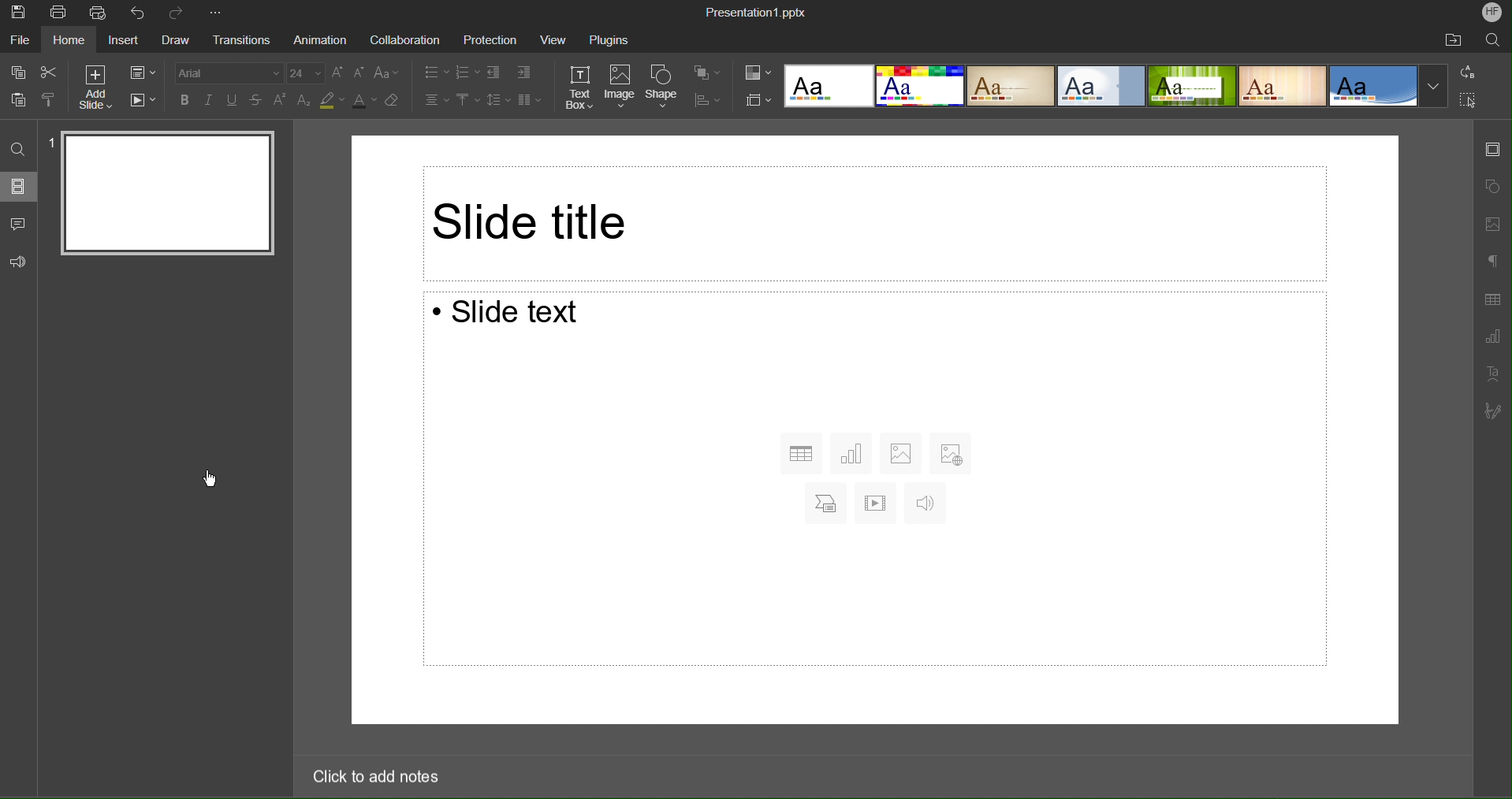 This screenshot has height=799, width=1512. Describe the element at coordinates (51, 100) in the screenshot. I see `clone formatting` at that location.